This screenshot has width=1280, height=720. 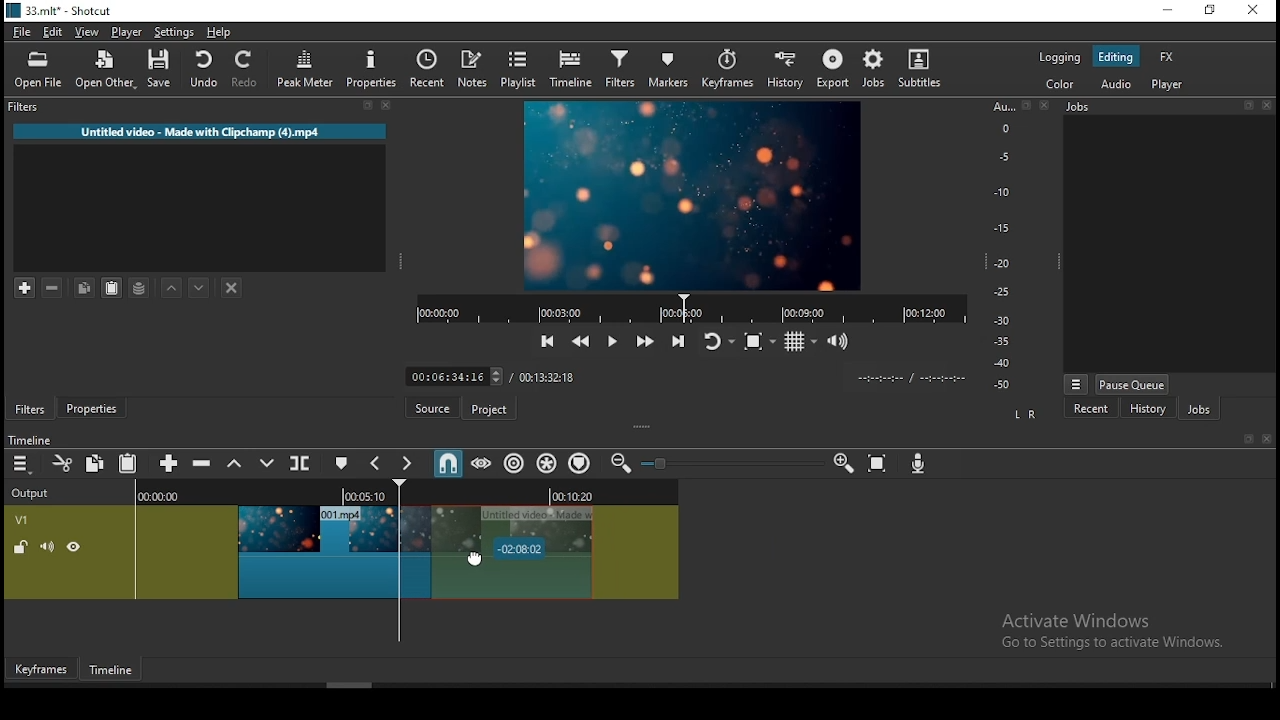 I want to click on cursor, so click(x=492, y=554).